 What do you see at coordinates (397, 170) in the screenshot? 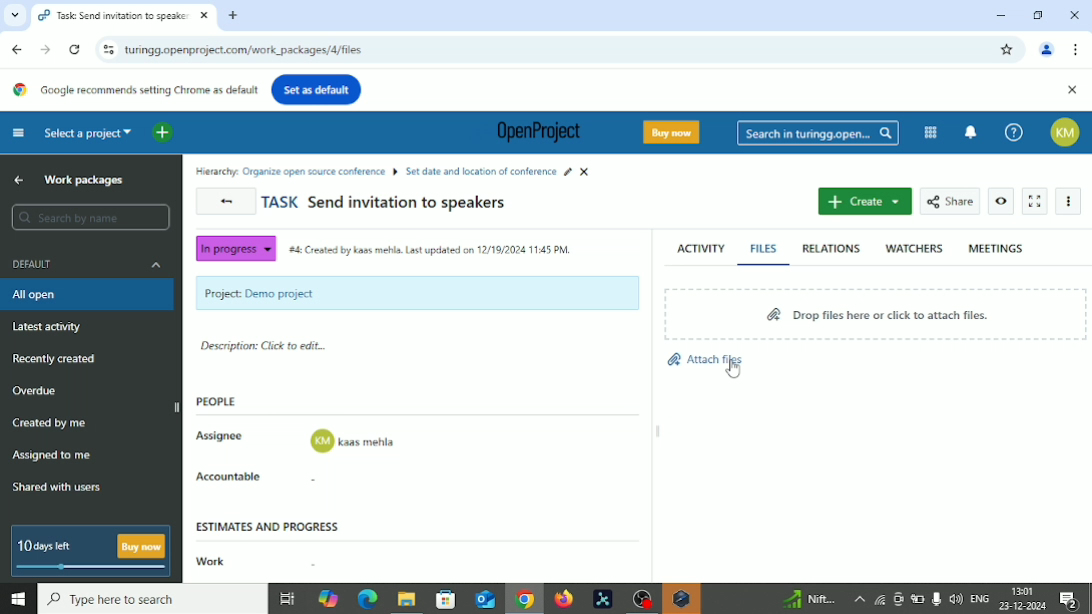
I see `ll Hierarchy: Organize open source conference B Set date and location of conference # X` at bounding box center [397, 170].